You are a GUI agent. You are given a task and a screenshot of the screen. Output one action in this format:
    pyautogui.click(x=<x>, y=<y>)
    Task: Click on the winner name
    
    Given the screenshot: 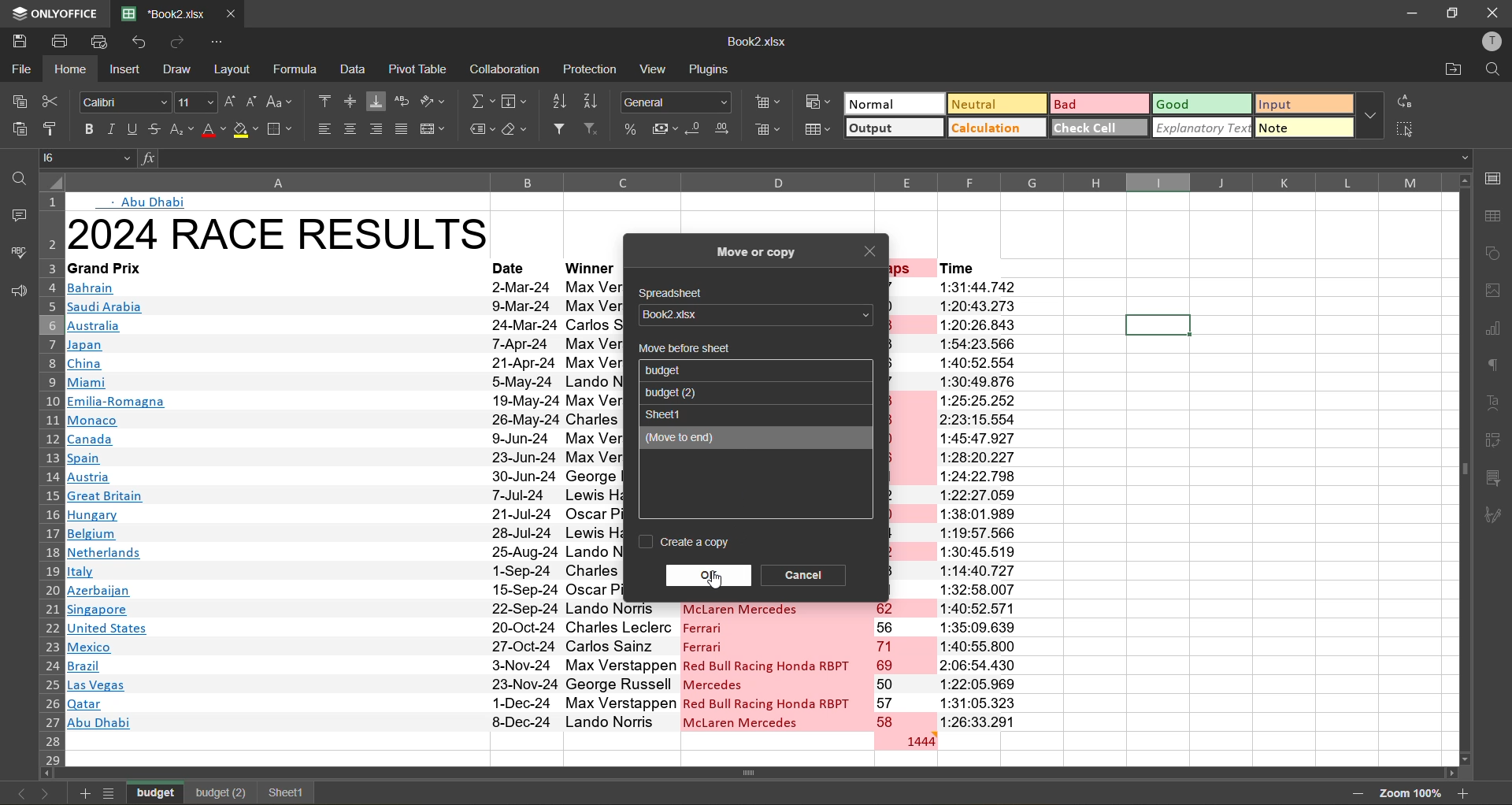 What is the action you would take?
    pyautogui.click(x=592, y=504)
    